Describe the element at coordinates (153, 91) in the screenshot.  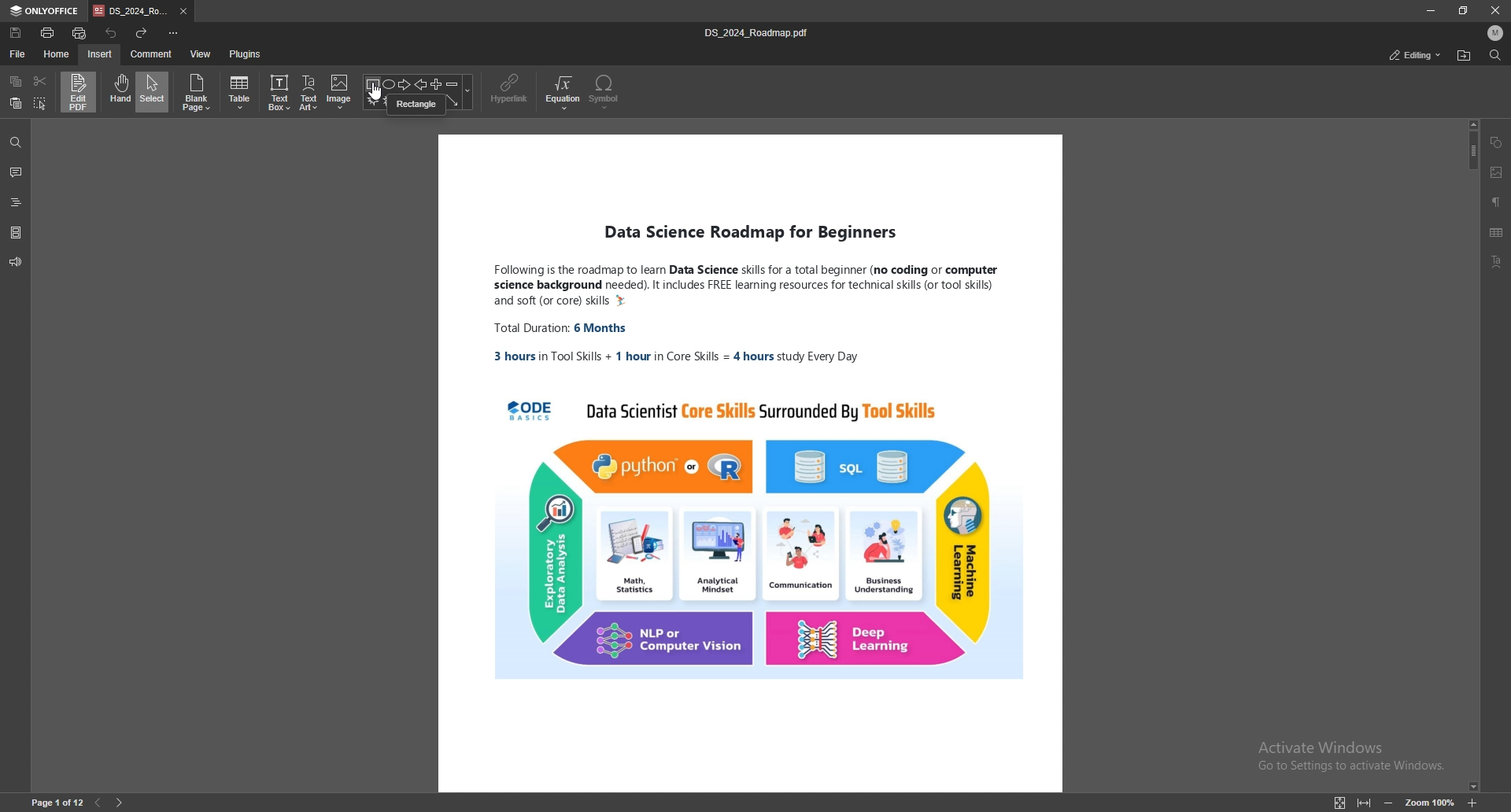
I see `select` at that location.